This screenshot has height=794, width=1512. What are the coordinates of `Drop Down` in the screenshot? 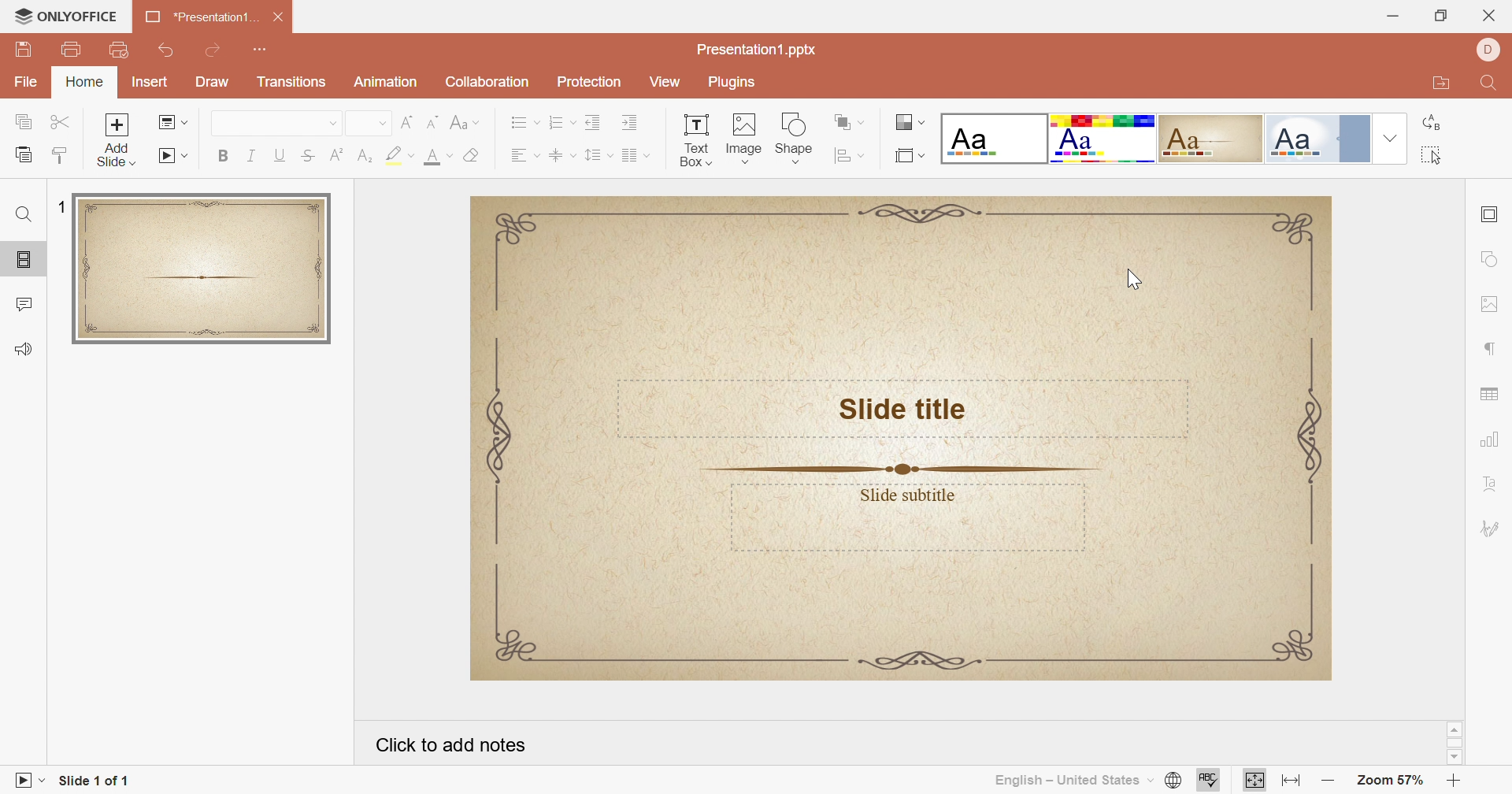 It's located at (1152, 777).